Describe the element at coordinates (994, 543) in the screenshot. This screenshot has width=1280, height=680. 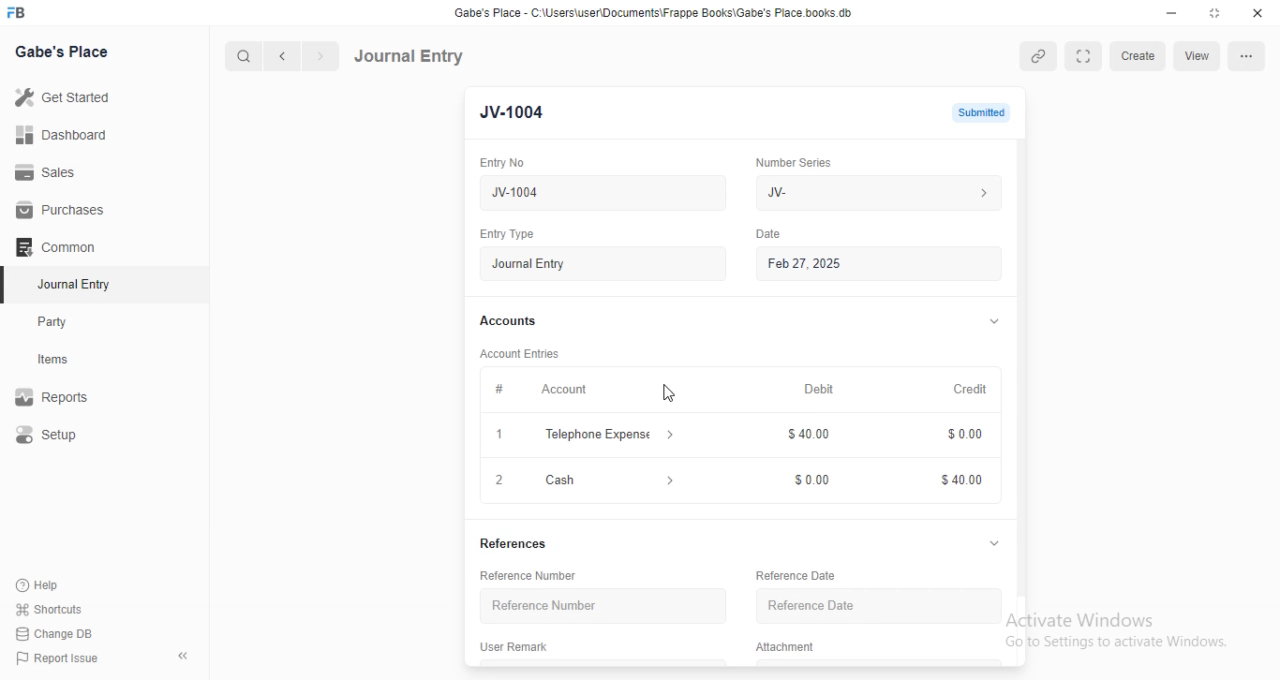
I see `Hide` at that location.